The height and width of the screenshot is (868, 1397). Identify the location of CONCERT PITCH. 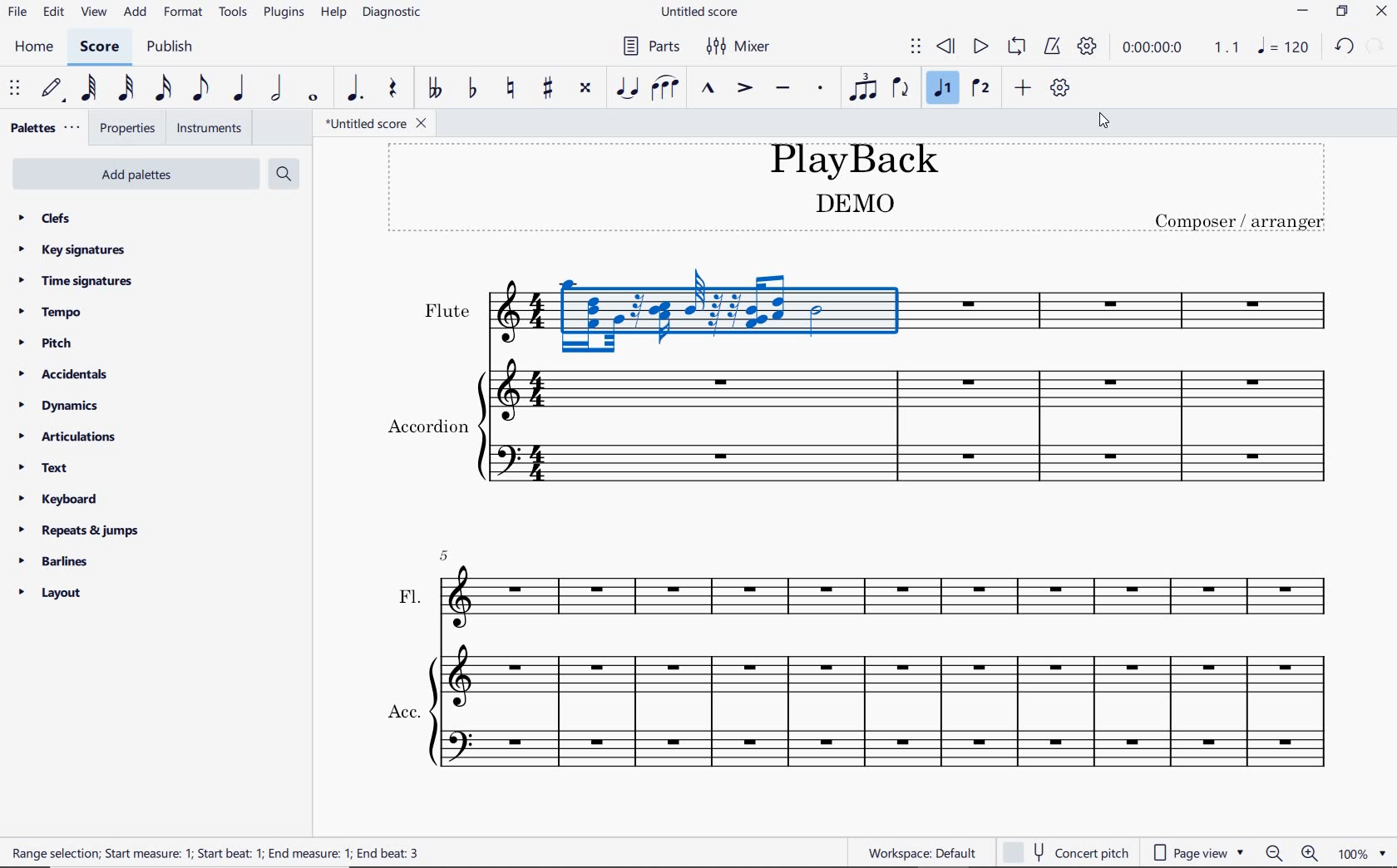
(1068, 852).